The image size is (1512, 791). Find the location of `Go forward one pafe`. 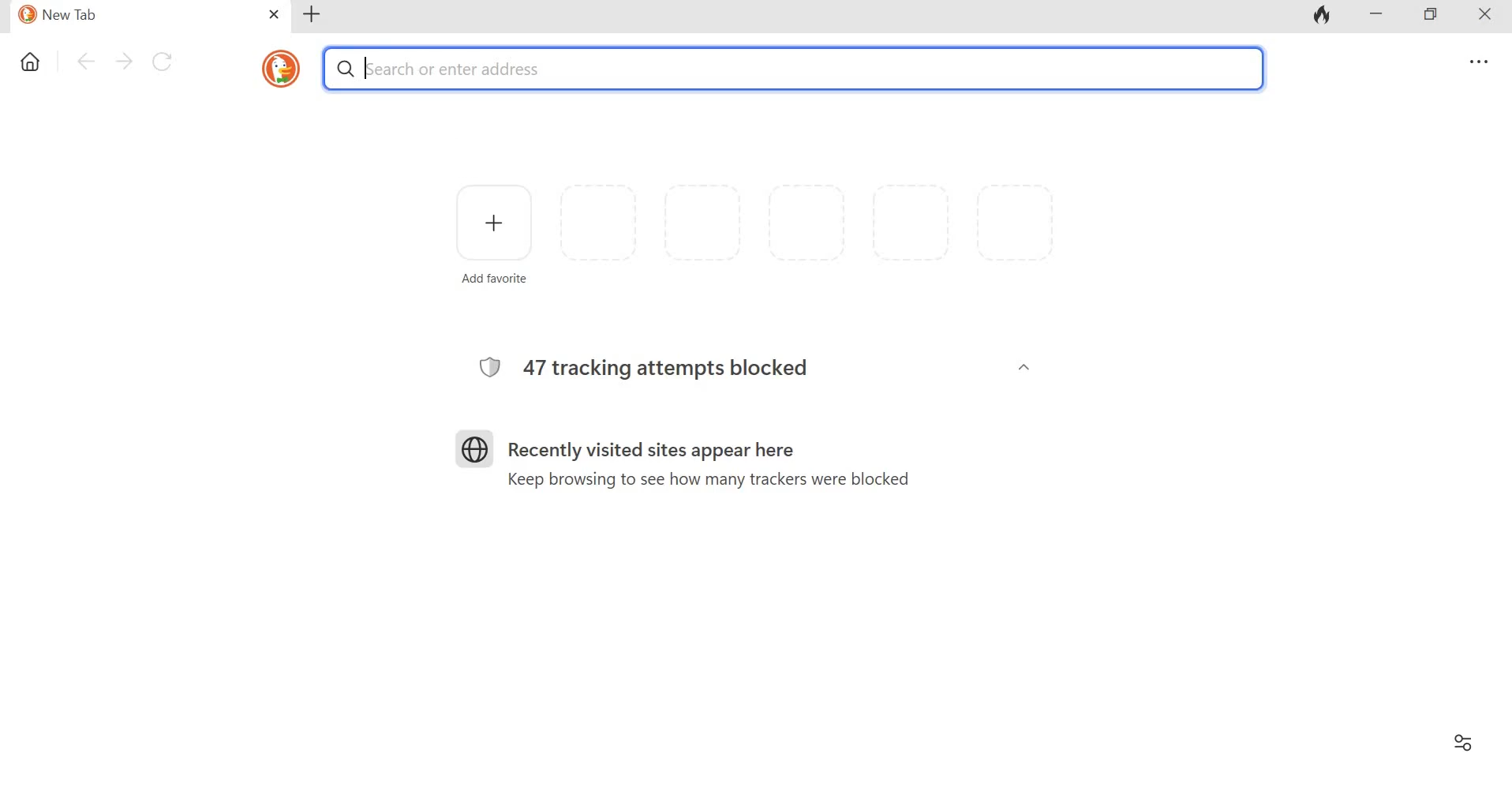

Go forward one pafe is located at coordinates (122, 62).